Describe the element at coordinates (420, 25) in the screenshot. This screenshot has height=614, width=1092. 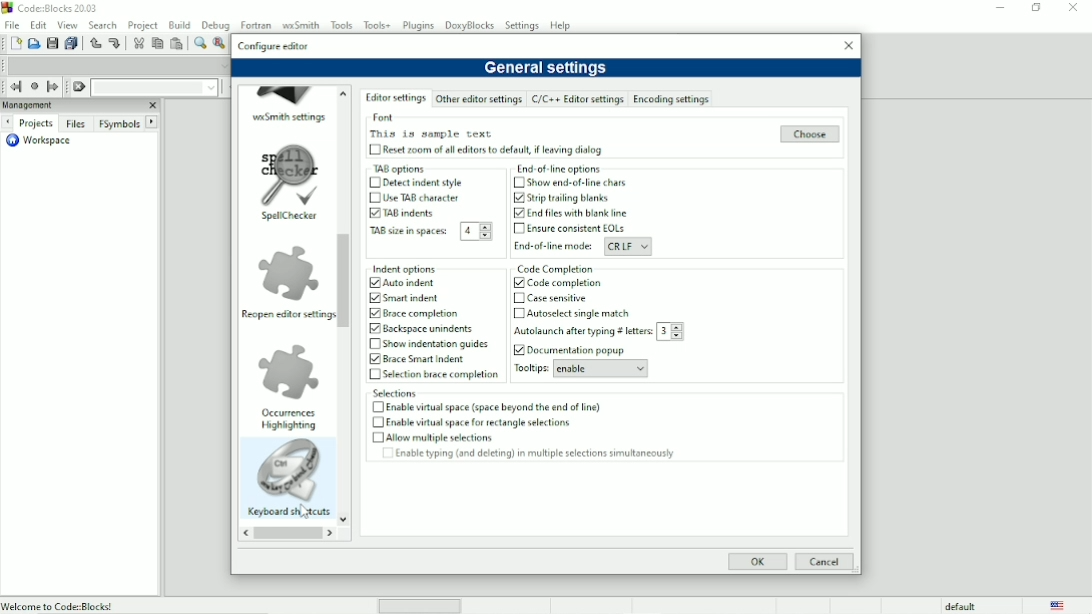
I see `Plugins` at that location.